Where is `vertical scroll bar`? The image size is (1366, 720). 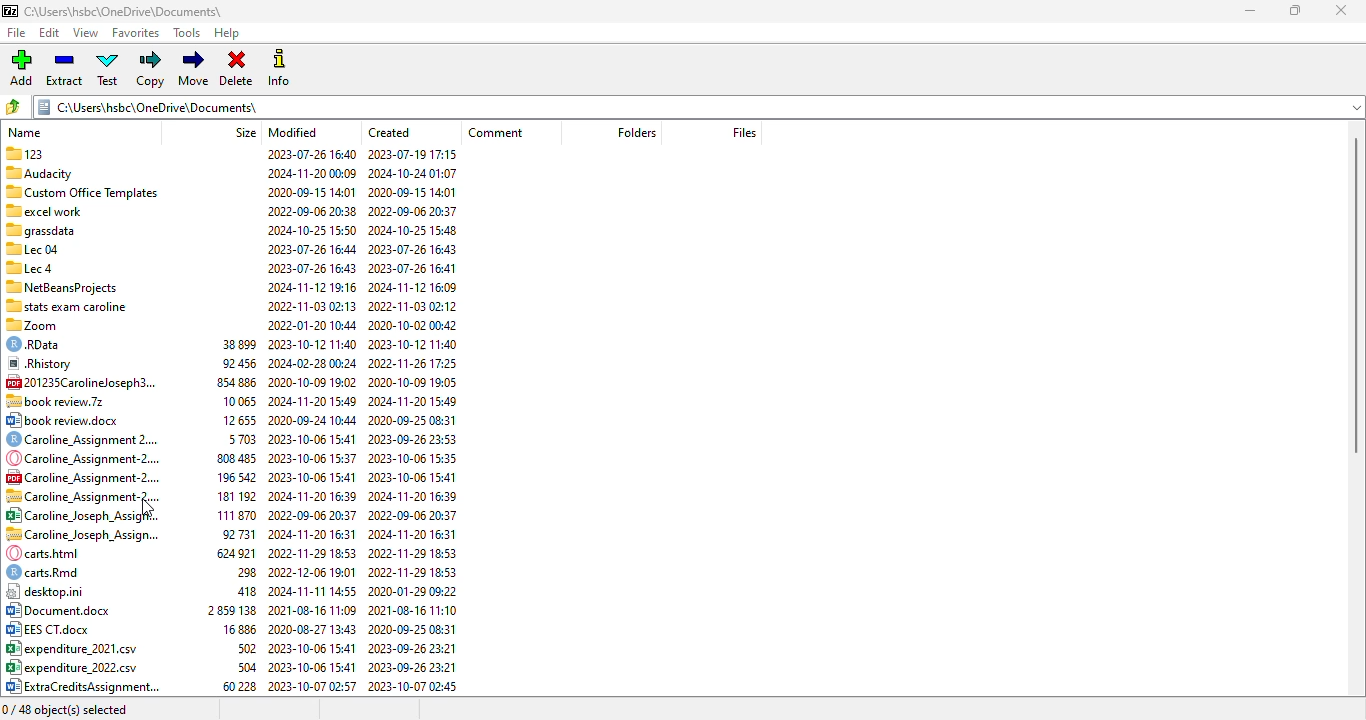 vertical scroll bar is located at coordinates (1356, 293).